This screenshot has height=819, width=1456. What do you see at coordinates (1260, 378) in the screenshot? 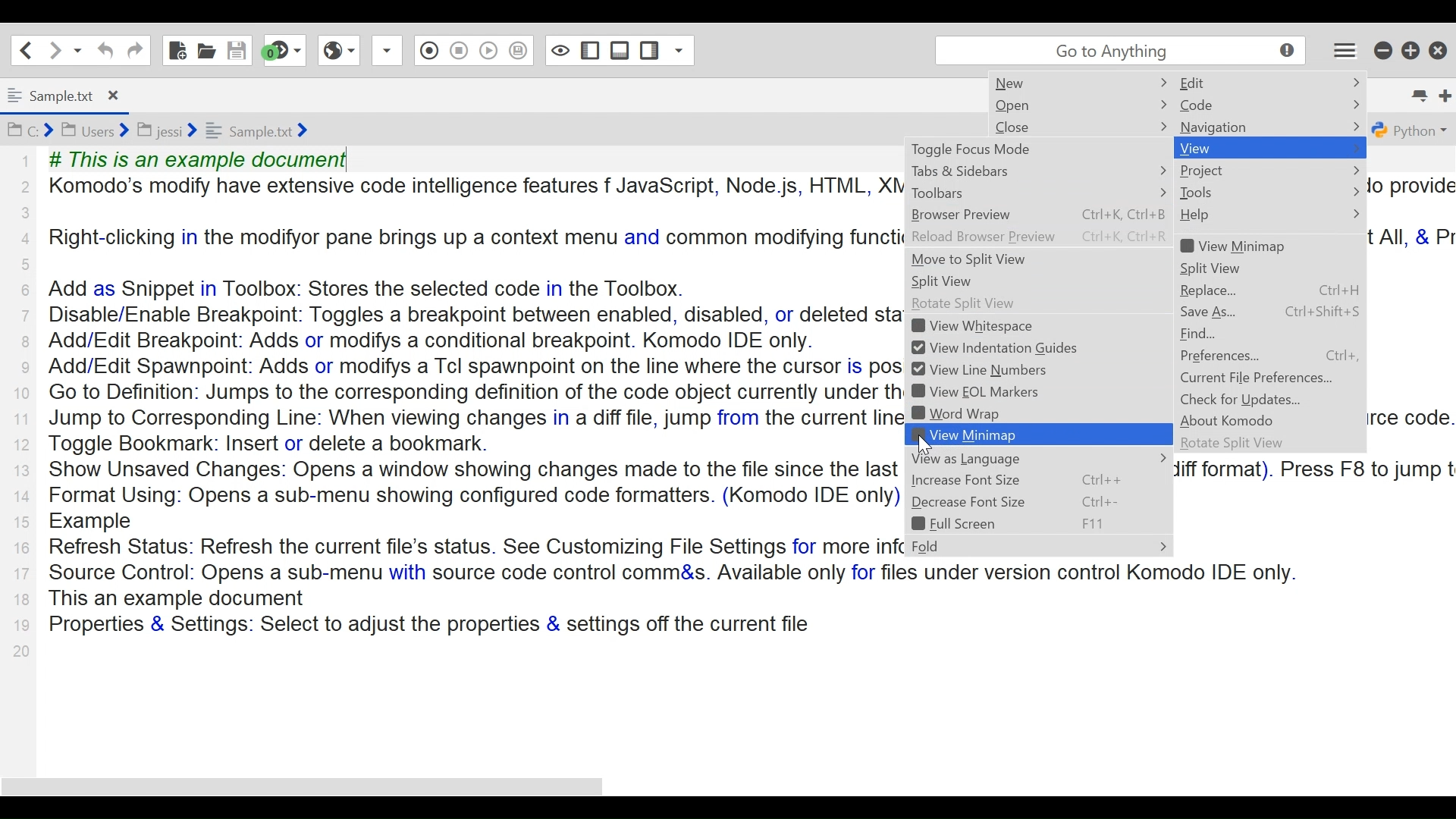
I see `Current File Preferences...` at bounding box center [1260, 378].